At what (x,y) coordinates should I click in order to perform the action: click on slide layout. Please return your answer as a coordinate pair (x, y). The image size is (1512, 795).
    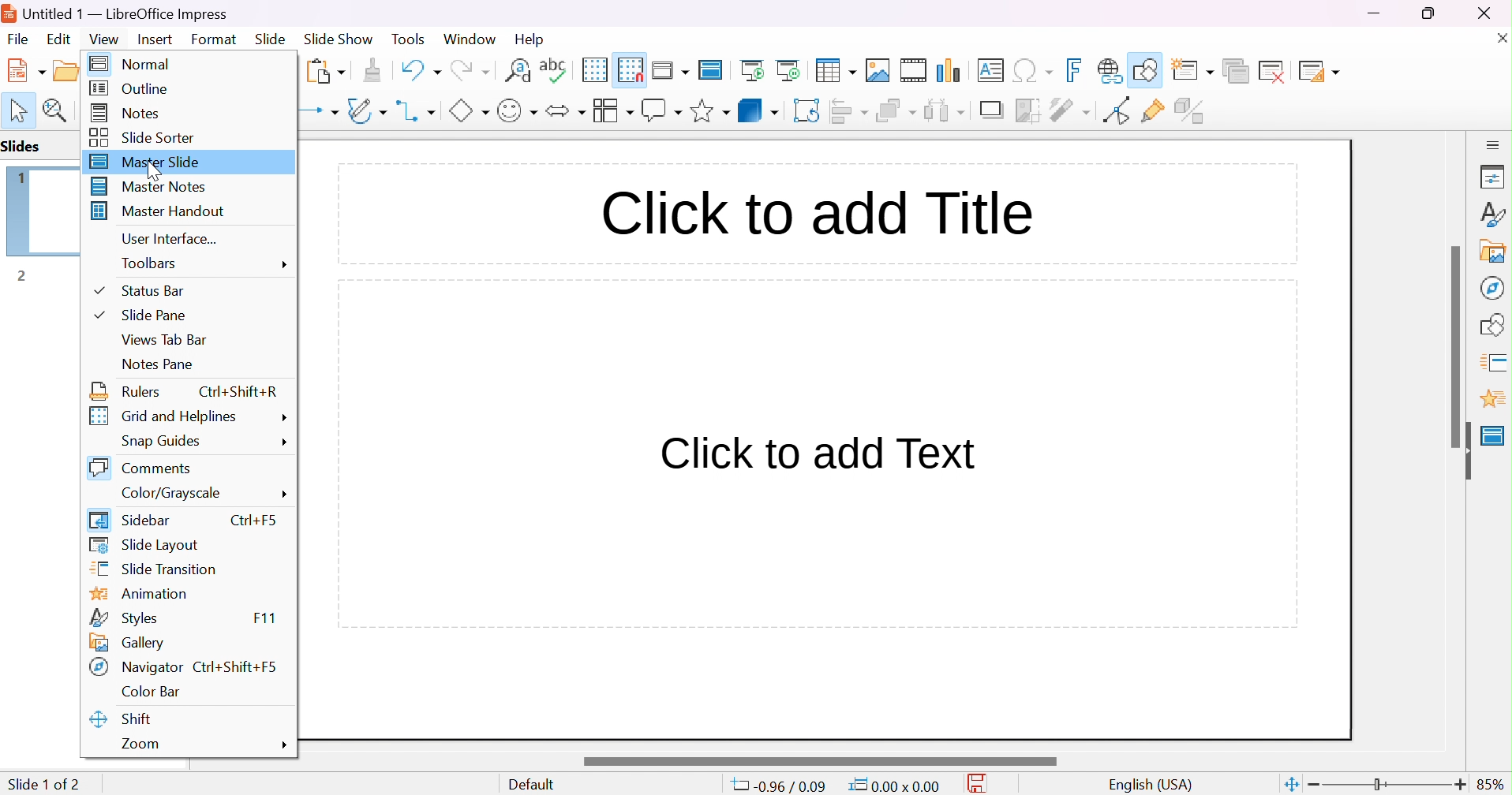
    Looking at the image, I should click on (144, 545).